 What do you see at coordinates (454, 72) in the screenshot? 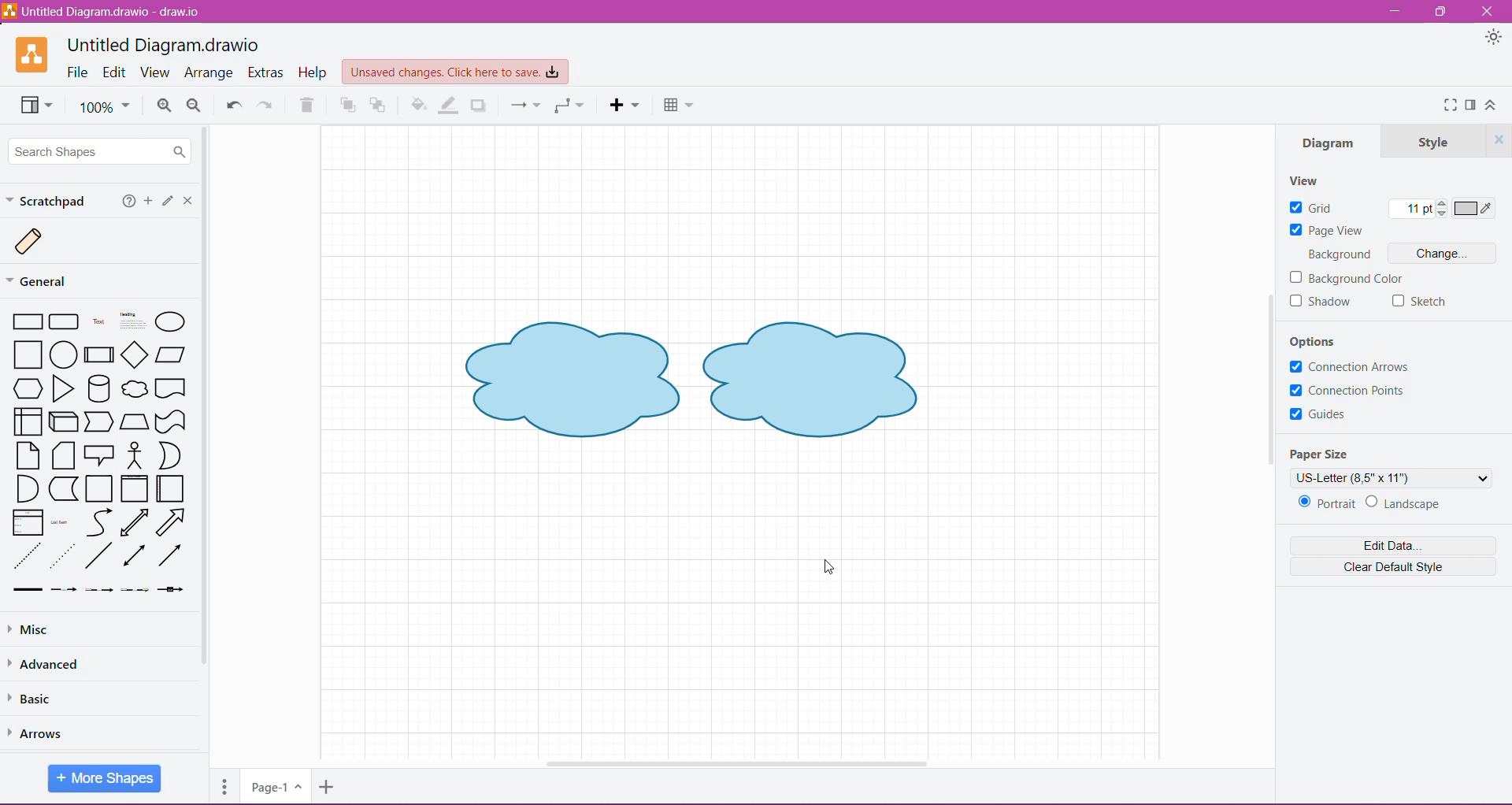
I see `Unsaved Changes. Click here to save` at bounding box center [454, 72].